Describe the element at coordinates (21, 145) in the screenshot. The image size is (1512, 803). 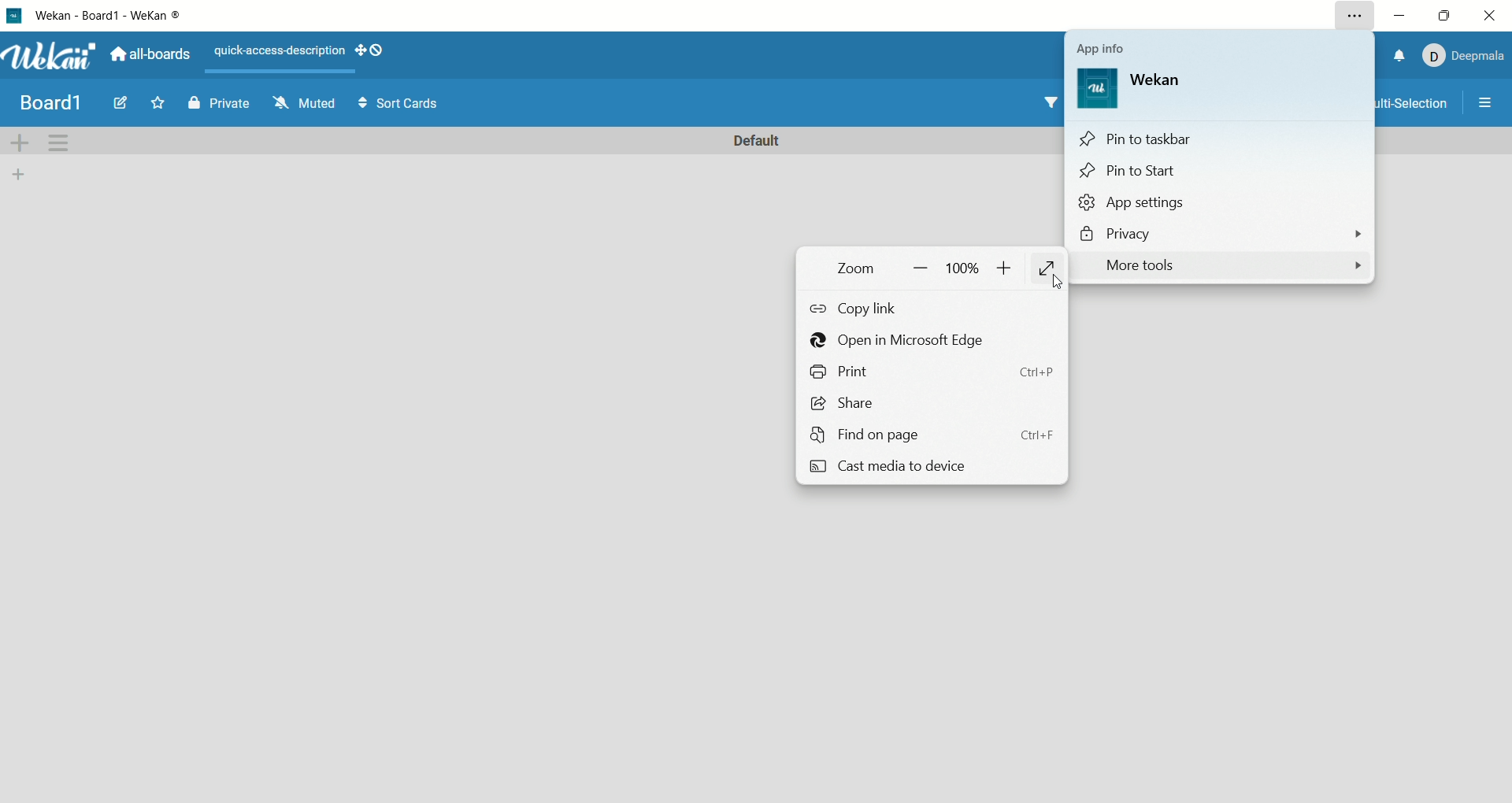
I see `add swimlane` at that location.